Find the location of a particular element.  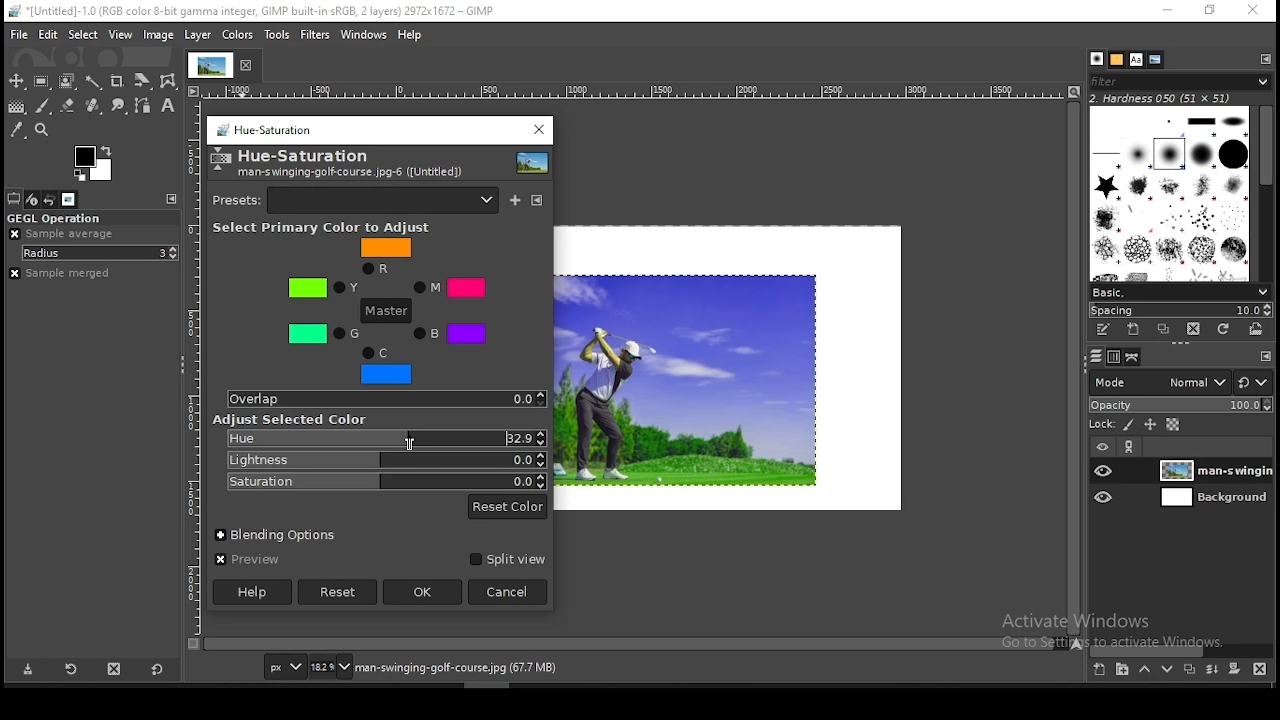

device status is located at coordinates (34, 199).